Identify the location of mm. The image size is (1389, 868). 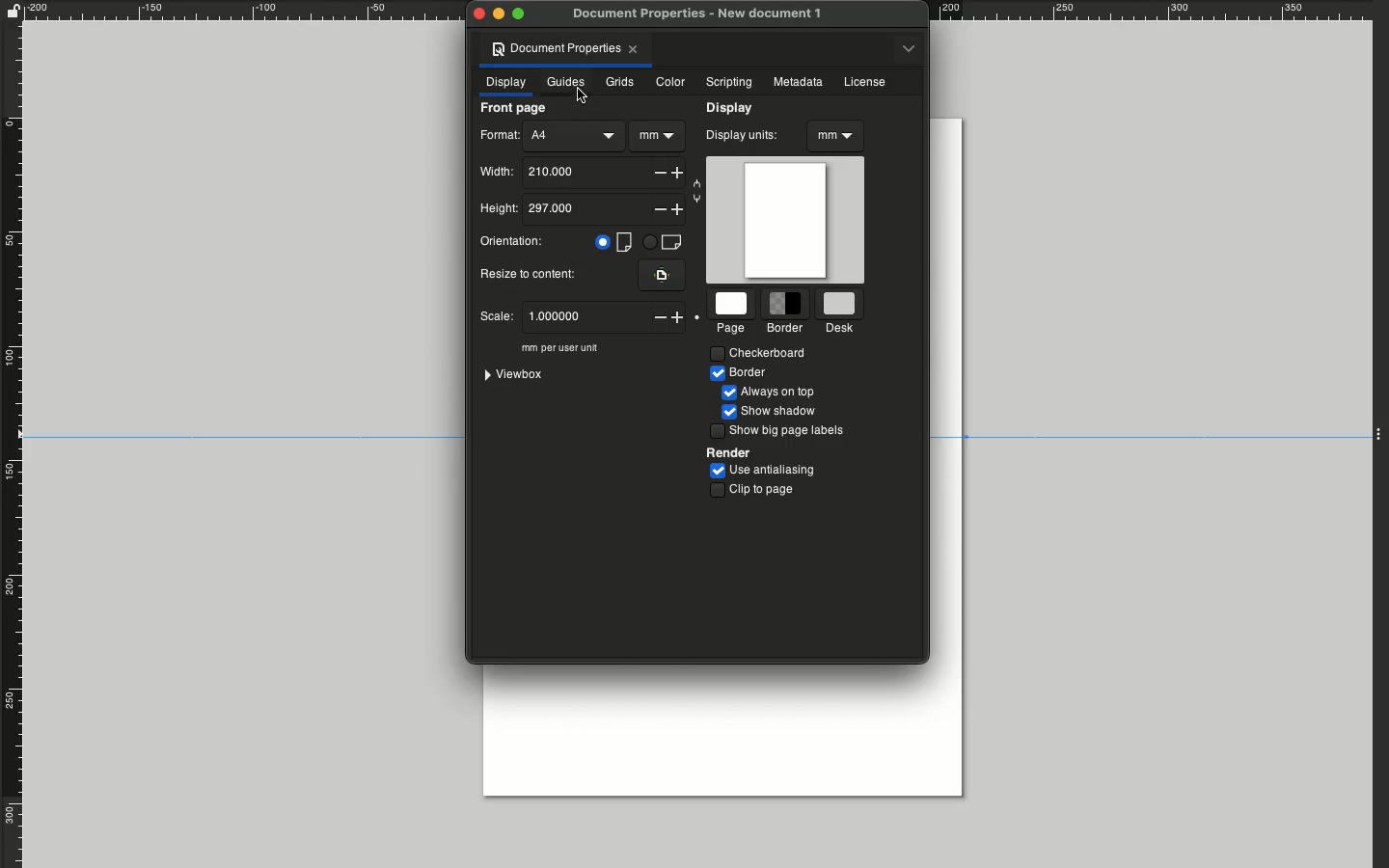
(834, 134).